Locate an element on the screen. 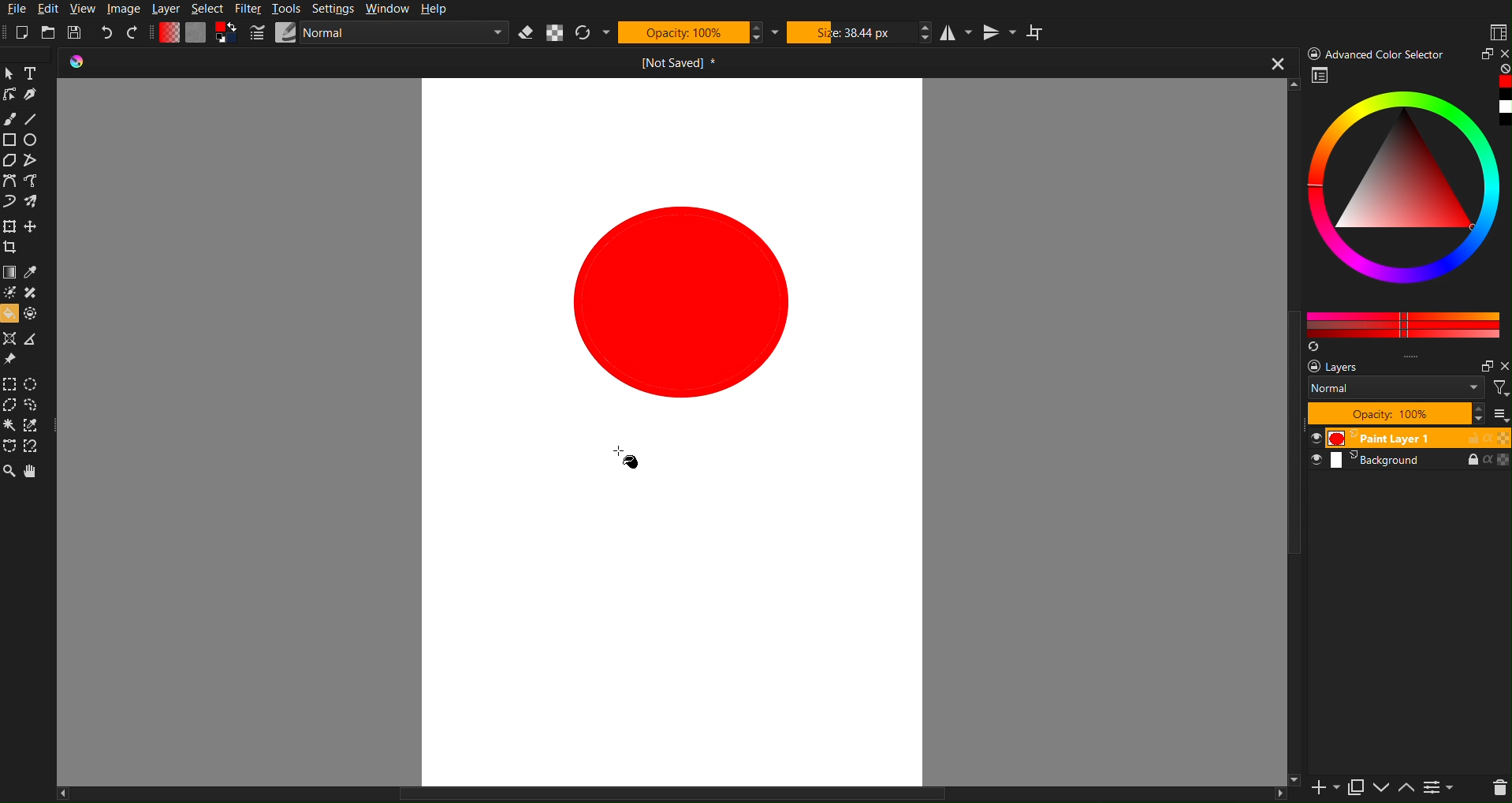  Filter is located at coordinates (247, 10).